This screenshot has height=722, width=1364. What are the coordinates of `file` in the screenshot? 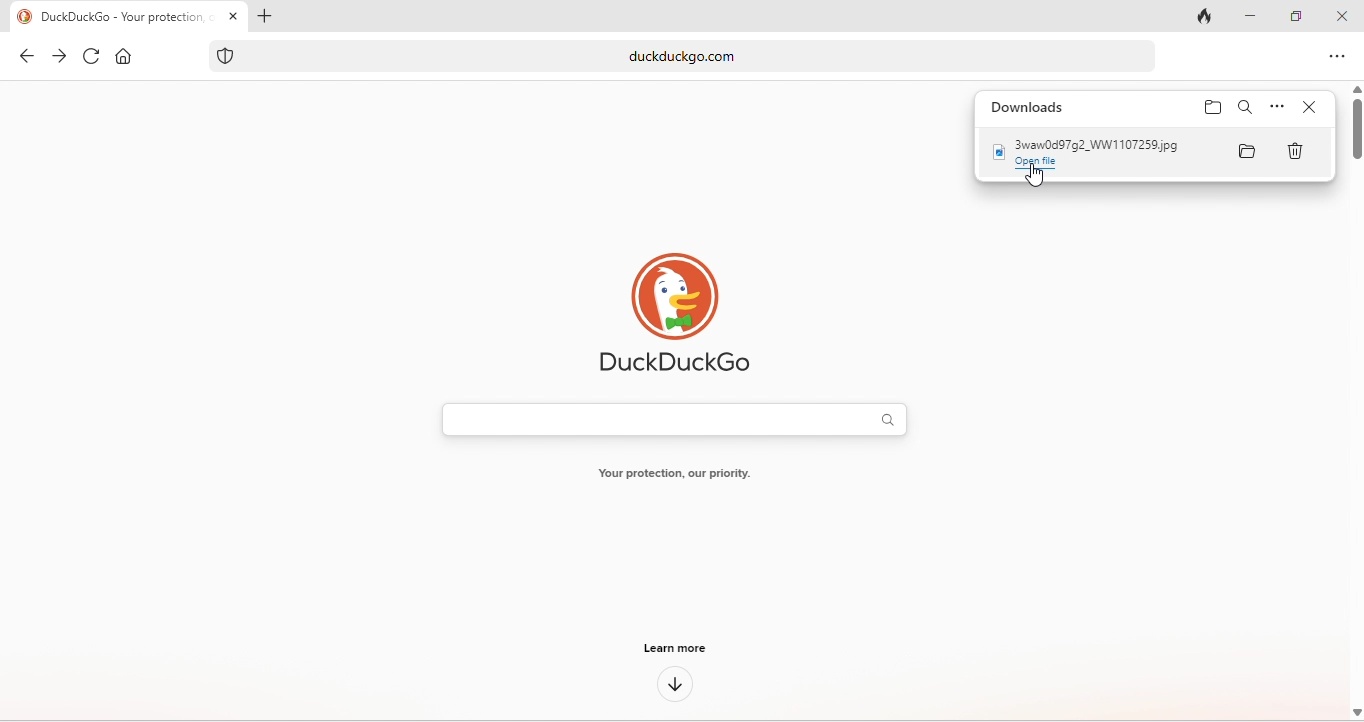 It's located at (1213, 110).